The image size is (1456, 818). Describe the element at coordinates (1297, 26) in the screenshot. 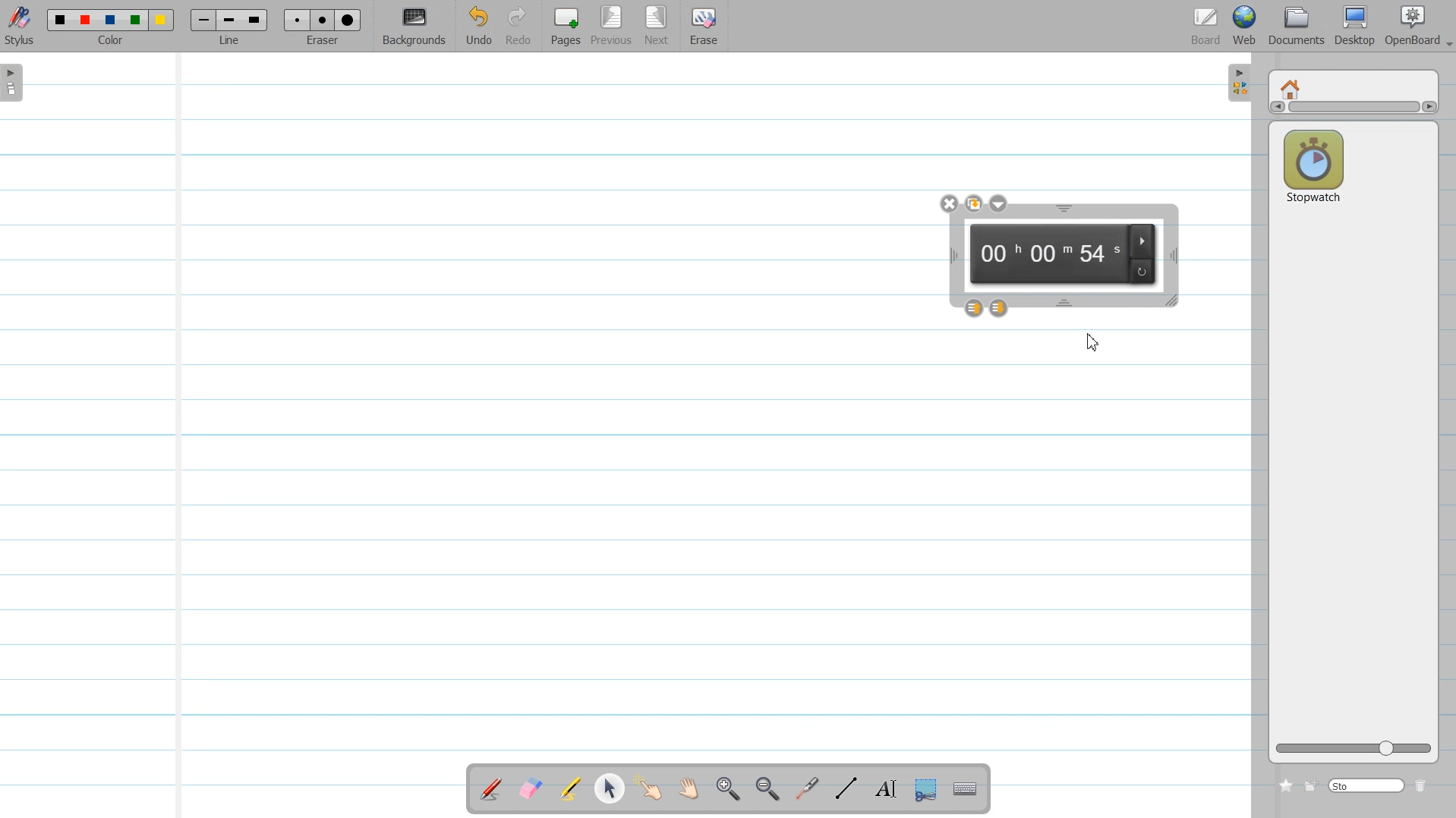

I see `Document` at that location.